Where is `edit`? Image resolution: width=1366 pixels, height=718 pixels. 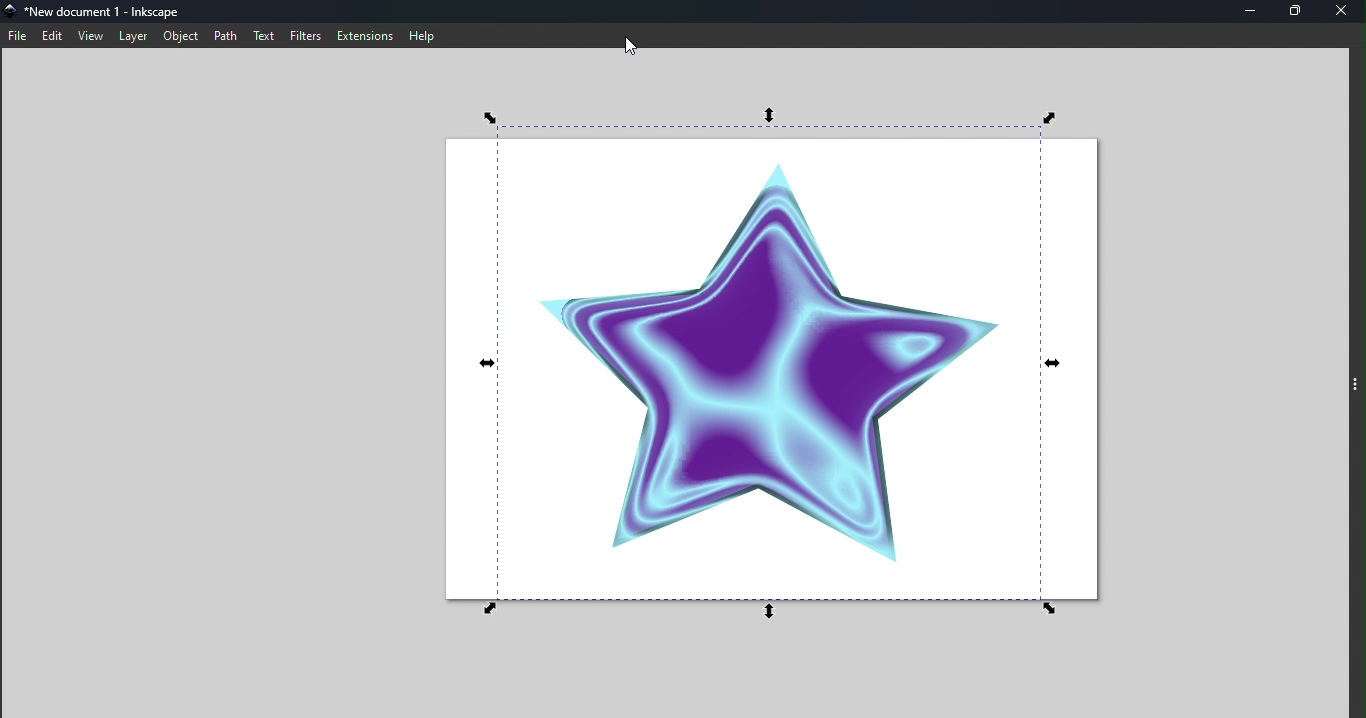 edit is located at coordinates (49, 35).